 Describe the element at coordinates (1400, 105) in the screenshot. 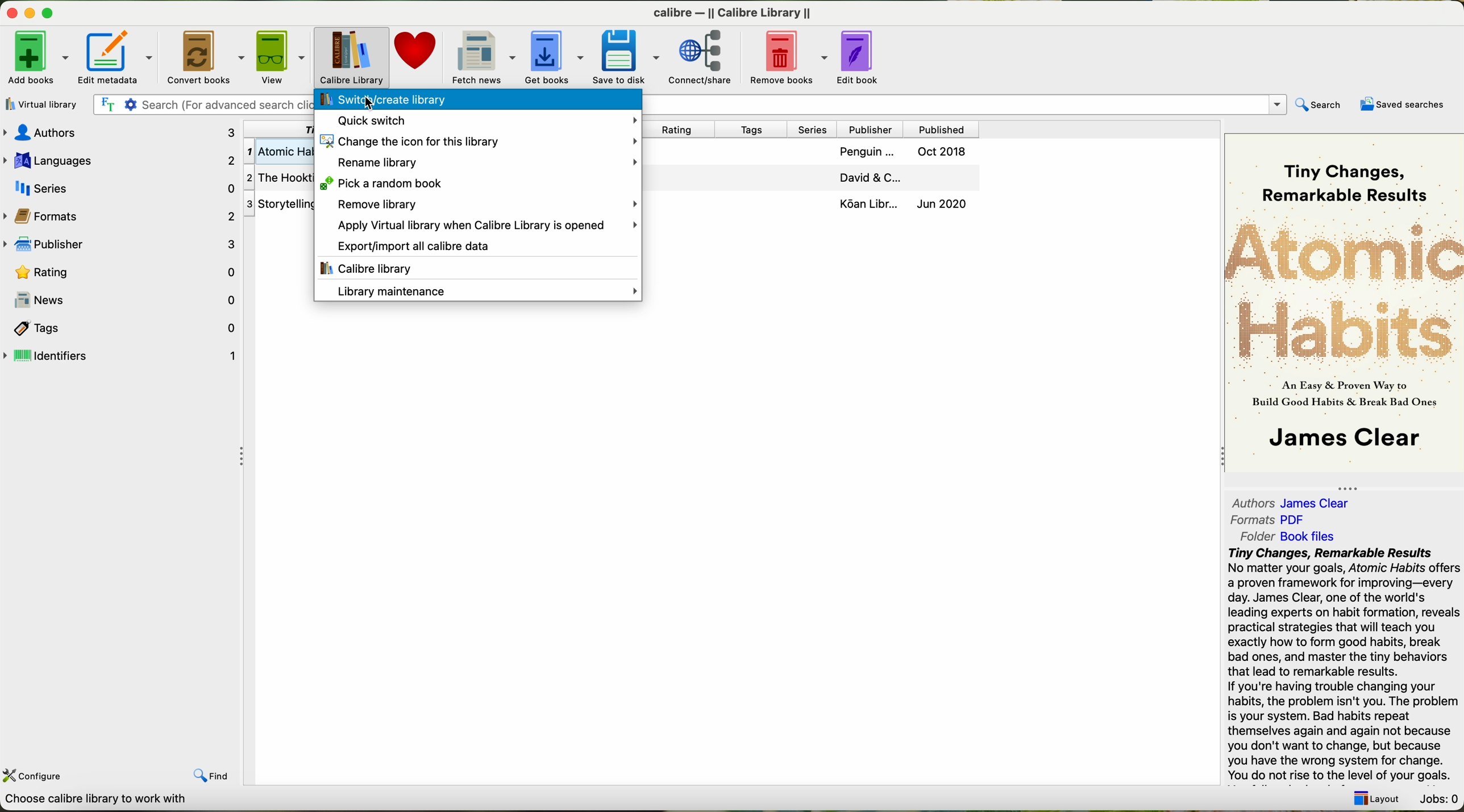

I see `saved searches` at that location.